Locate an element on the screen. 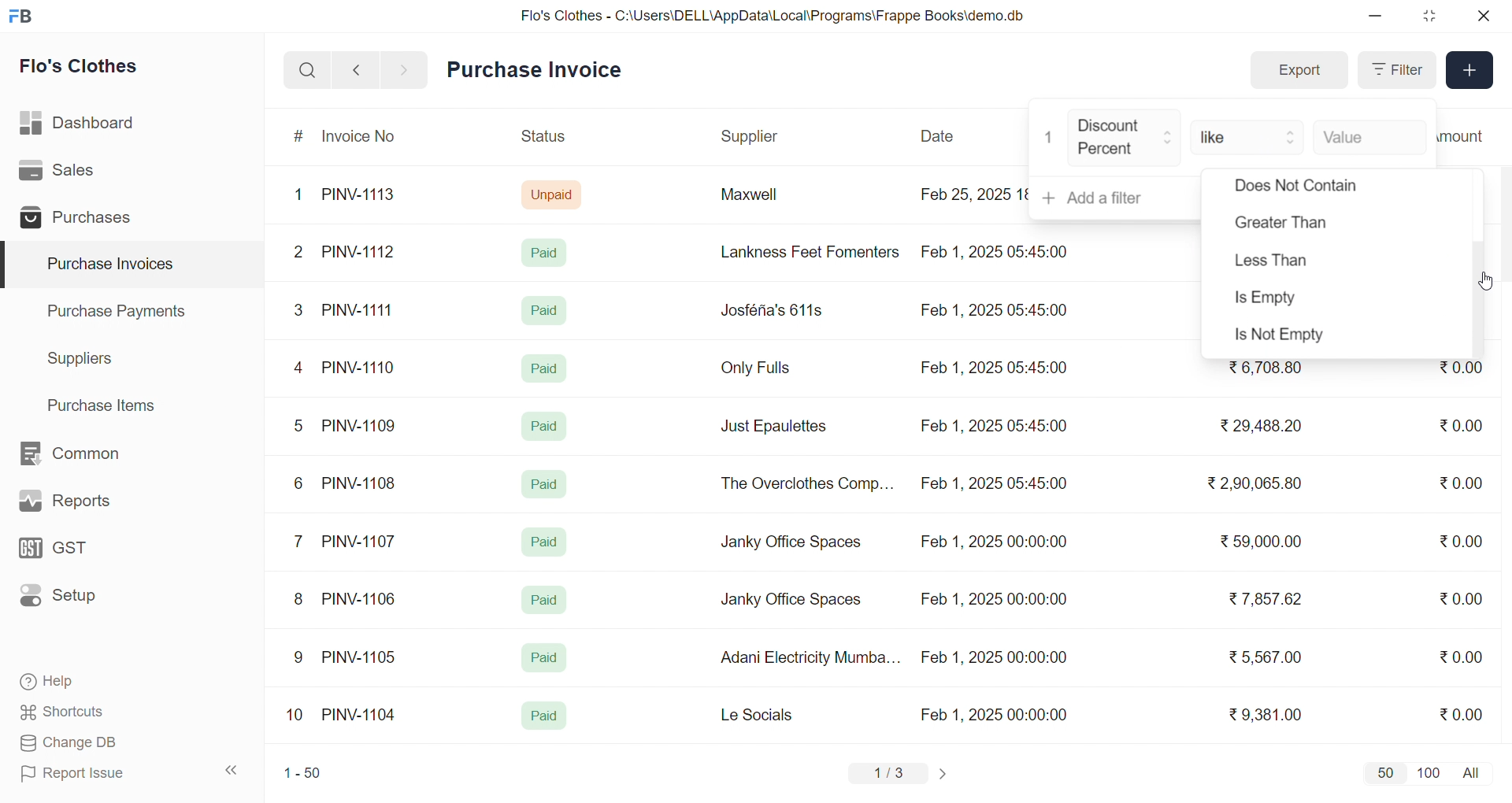 The image size is (1512, 803). Feb 1, 2025 00:00:00 is located at coordinates (991, 597).